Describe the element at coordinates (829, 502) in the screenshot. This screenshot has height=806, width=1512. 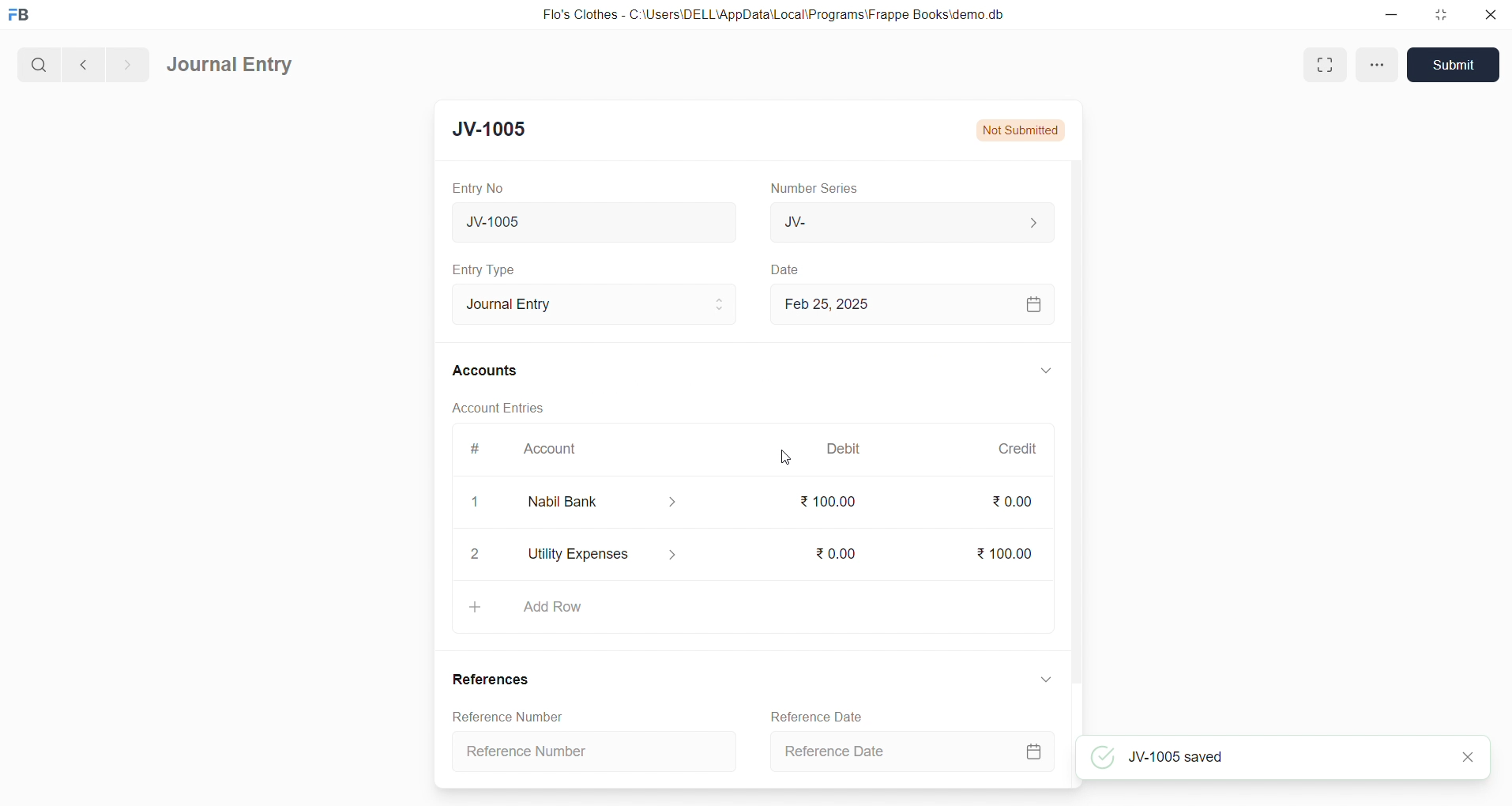
I see `₹ 100.00` at that location.